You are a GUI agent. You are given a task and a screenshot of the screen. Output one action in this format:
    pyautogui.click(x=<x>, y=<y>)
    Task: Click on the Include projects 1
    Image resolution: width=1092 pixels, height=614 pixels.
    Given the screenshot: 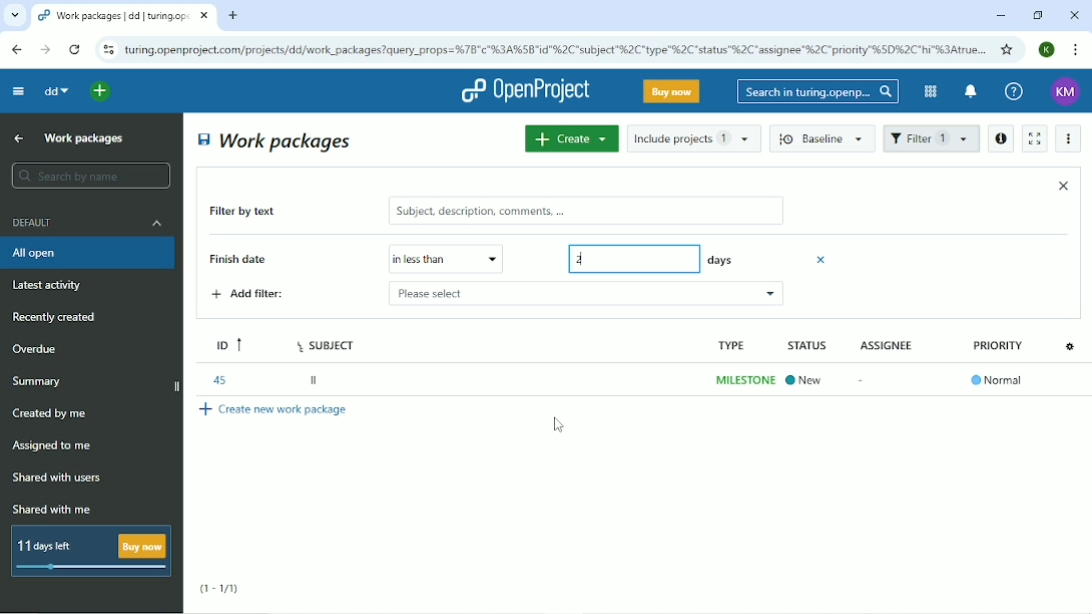 What is the action you would take?
    pyautogui.click(x=694, y=138)
    